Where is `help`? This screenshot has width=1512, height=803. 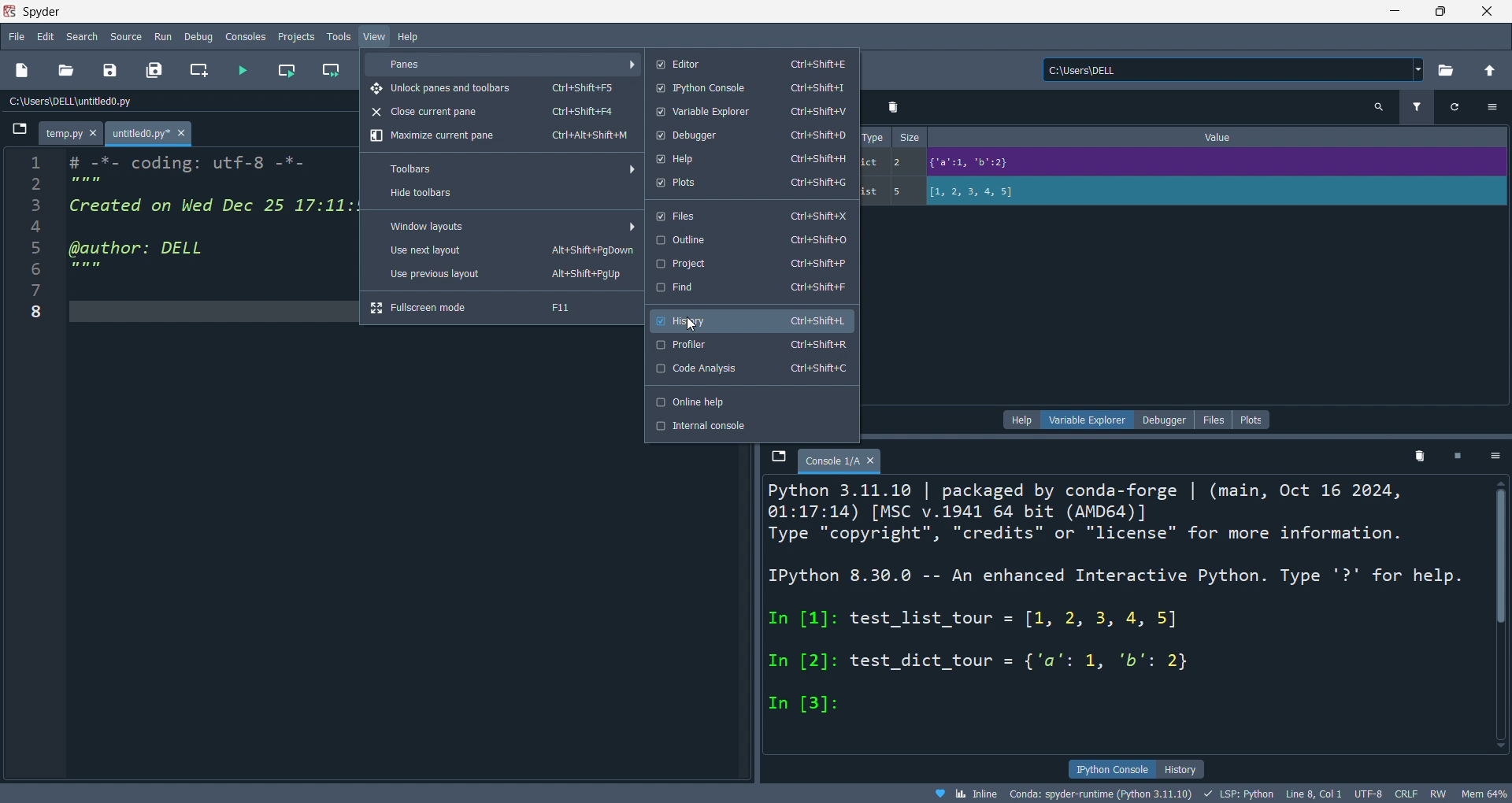
help is located at coordinates (1023, 420).